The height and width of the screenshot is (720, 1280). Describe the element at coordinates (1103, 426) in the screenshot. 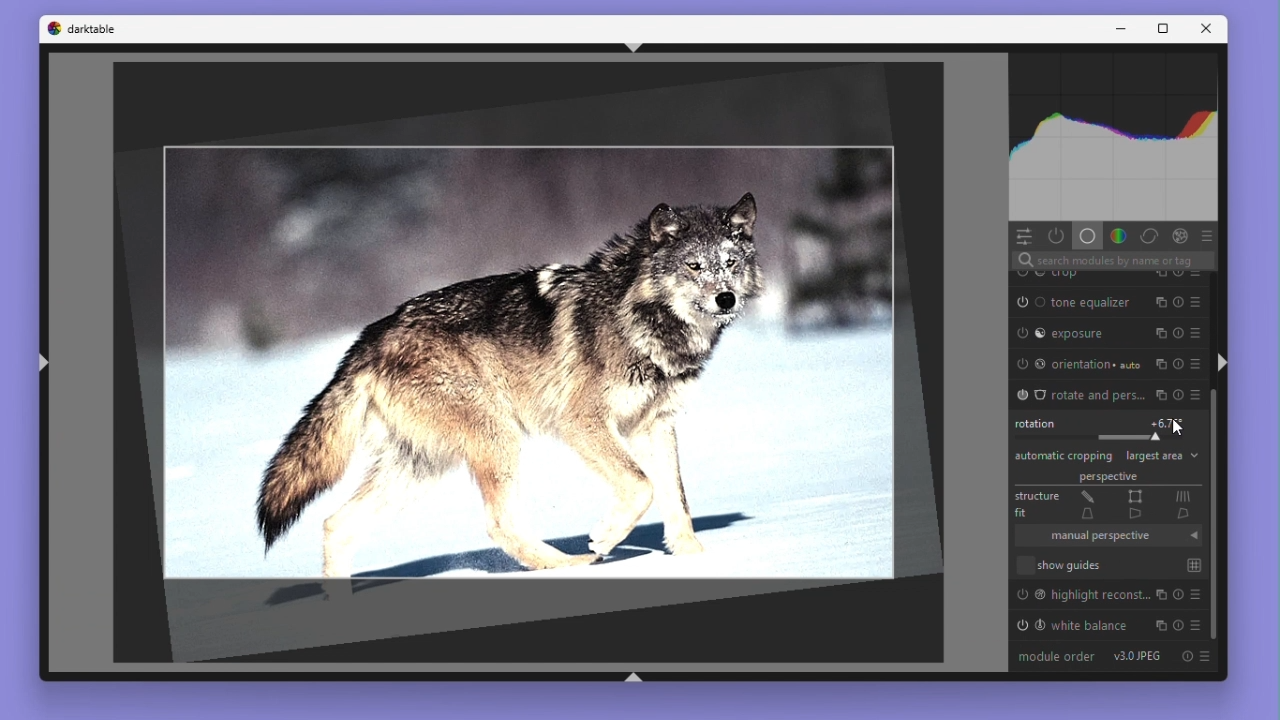

I see `Rotation slider` at that location.